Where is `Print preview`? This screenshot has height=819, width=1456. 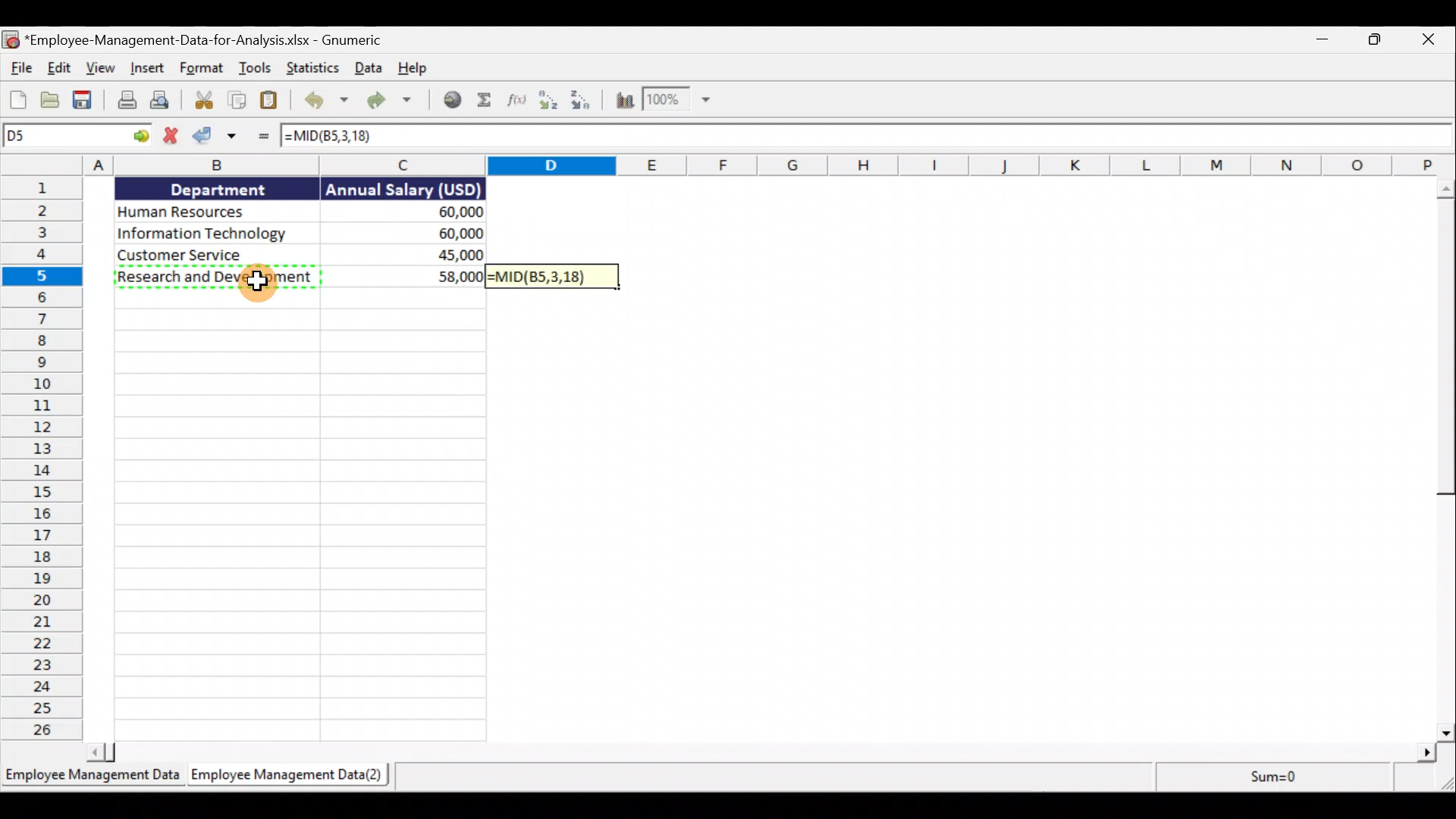 Print preview is located at coordinates (165, 102).